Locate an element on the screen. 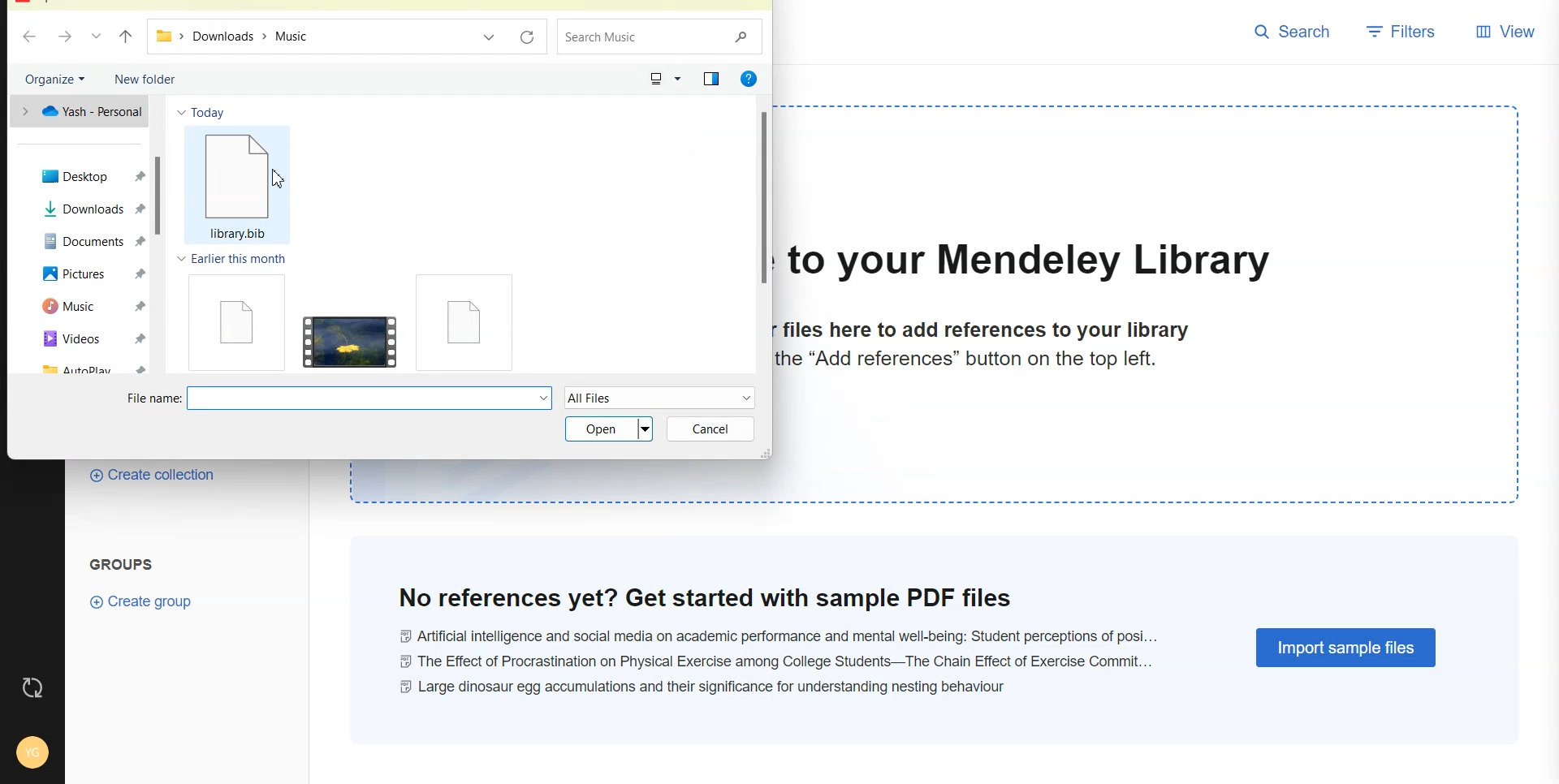 Image resolution: width=1559 pixels, height=784 pixels. @ Artificial intelligence and social media on academic performance and mental well-being: Student perceptions of posi...
© The Effect of Procrastination on Physical Exercise among College Students—The Chain Effect of Exercise Commit...
© Large dinosaur egg accumulations and their significance for understanding nesting behaviour is located at coordinates (790, 661).